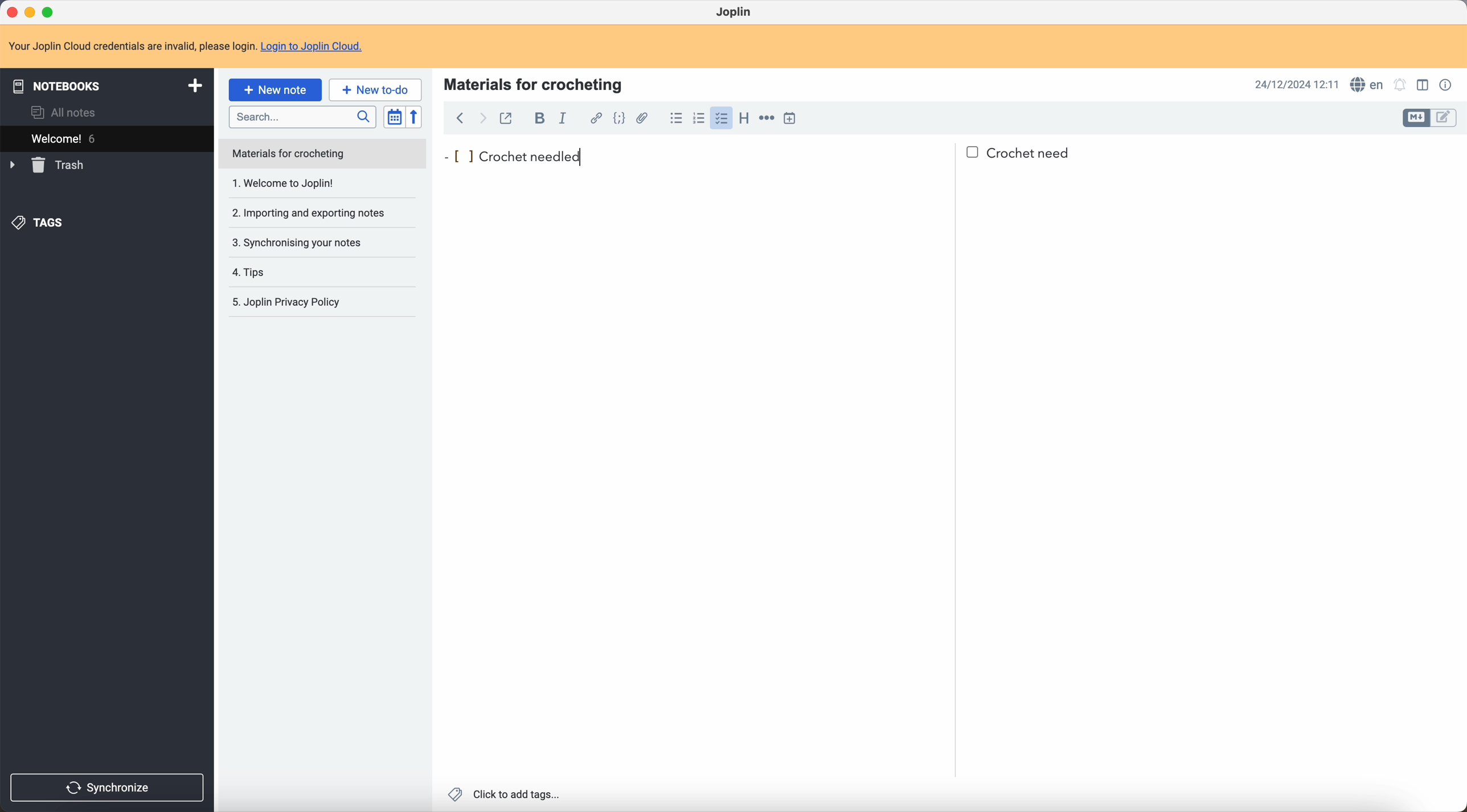 Image resolution: width=1467 pixels, height=812 pixels. Describe the element at coordinates (481, 120) in the screenshot. I see `foward` at that location.